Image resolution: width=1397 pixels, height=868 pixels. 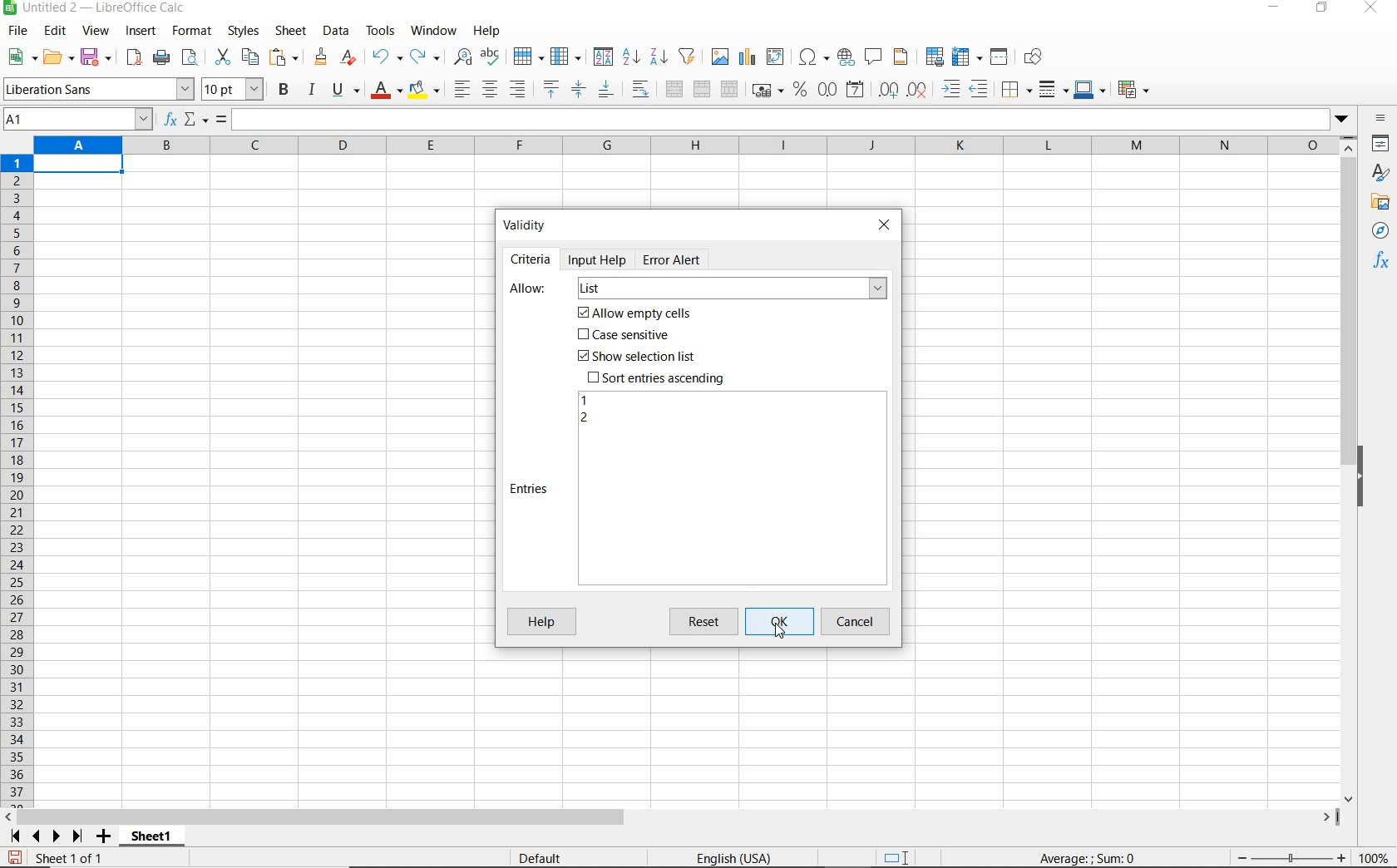 What do you see at coordinates (783, 622) in the screenshot?
I see `ok` at bounding box center [783, 622].